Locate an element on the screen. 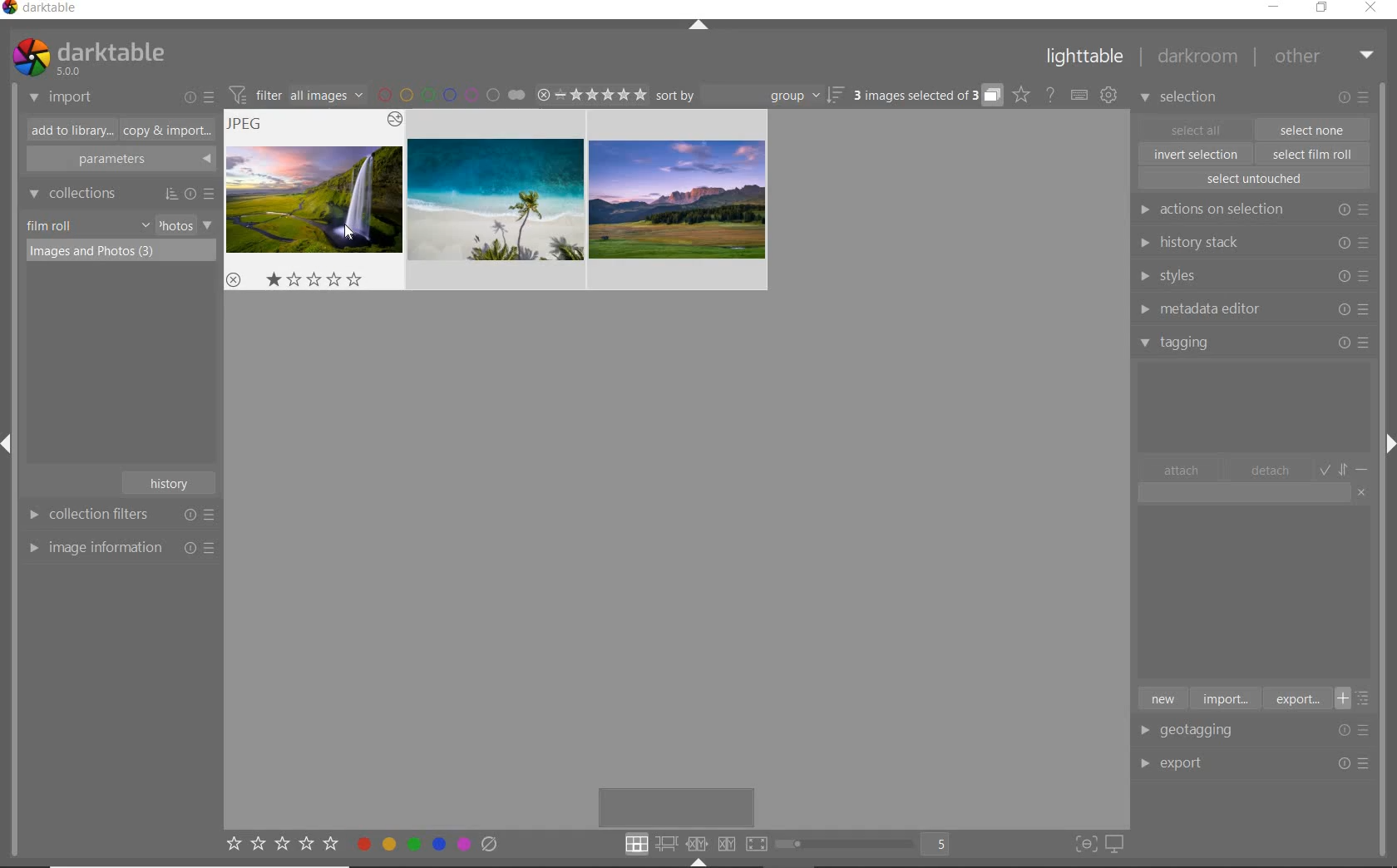 The height and width of the screenshot is (868, 1397). show global preferences is located at coordinates (1108, 96).